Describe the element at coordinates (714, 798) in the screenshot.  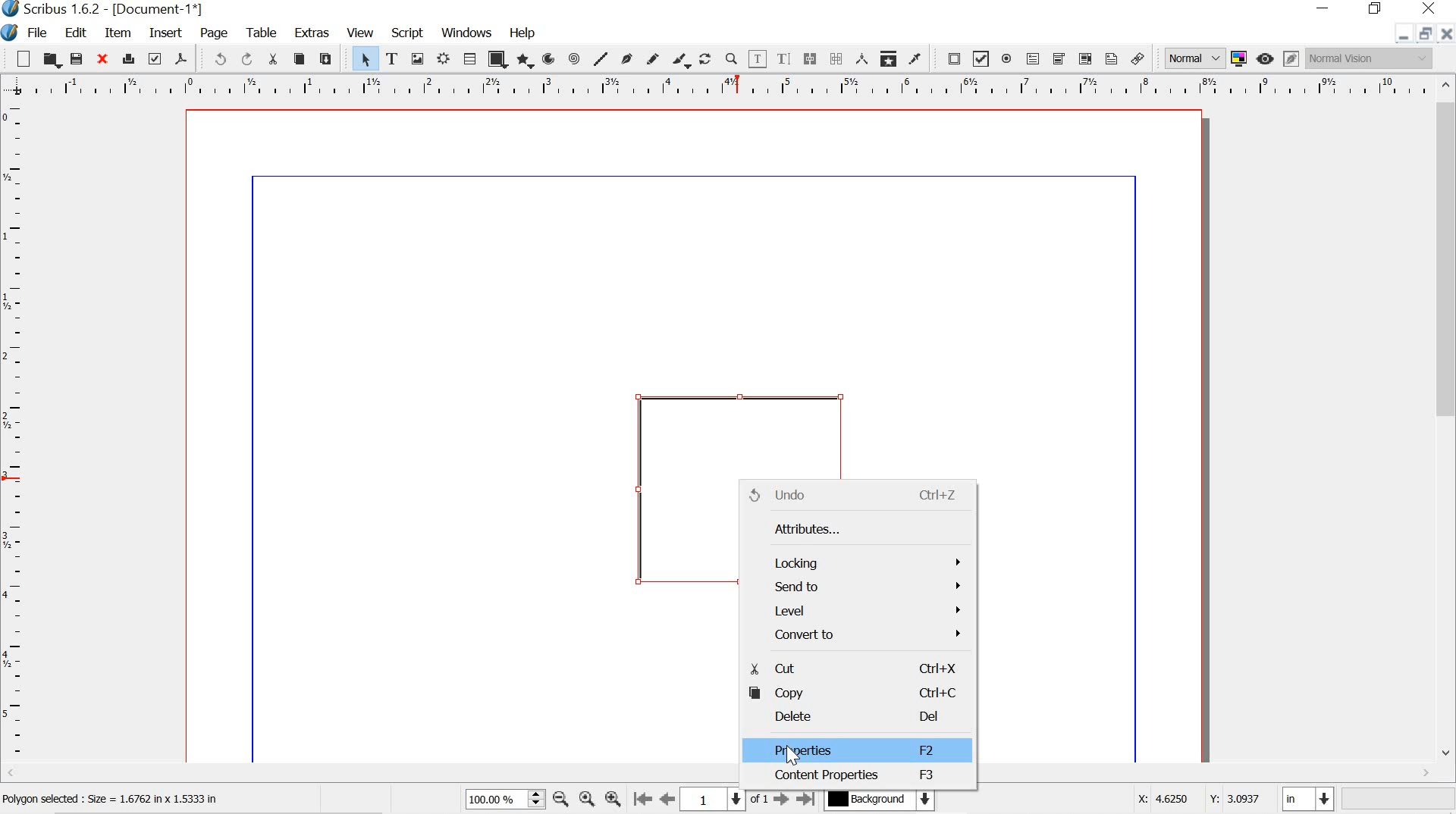
I see `1` at that location.